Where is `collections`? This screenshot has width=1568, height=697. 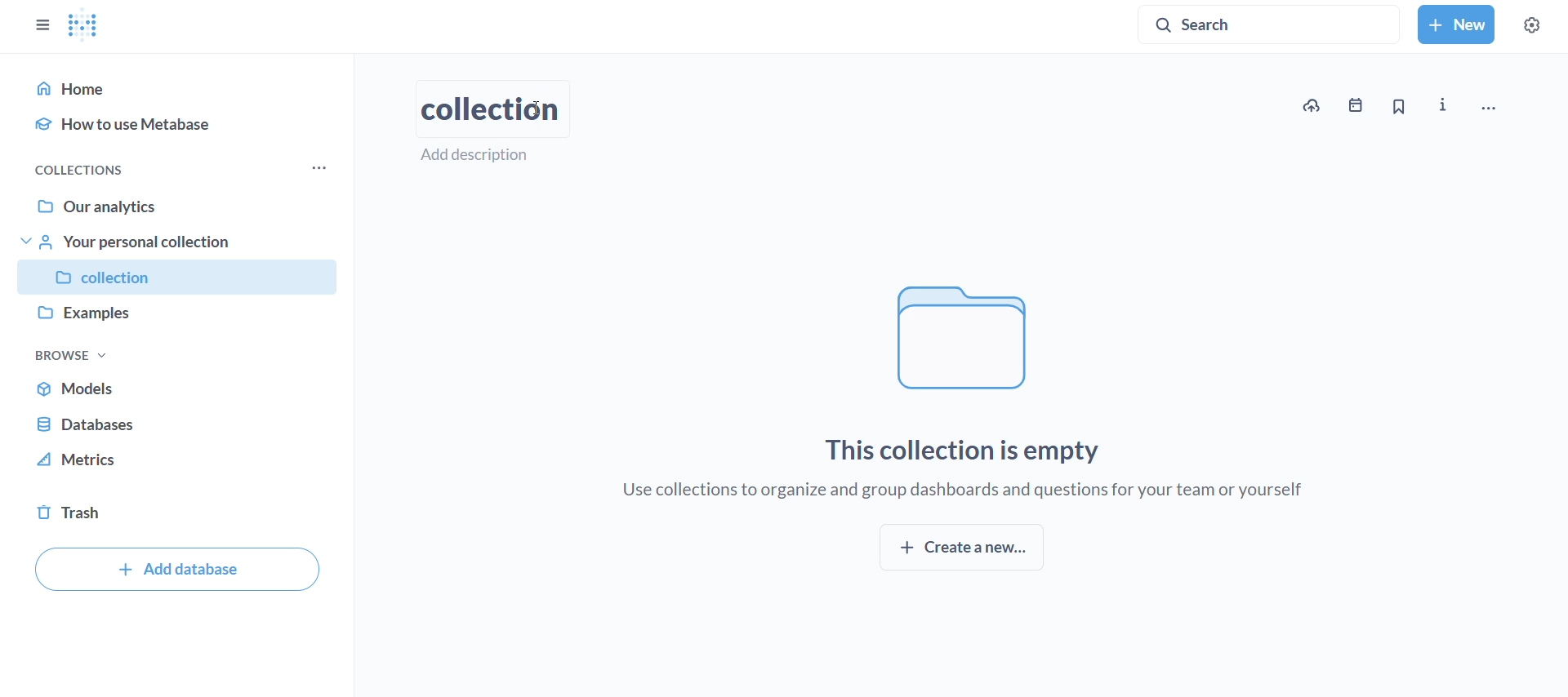 collections is located at coordinates (78, 171).